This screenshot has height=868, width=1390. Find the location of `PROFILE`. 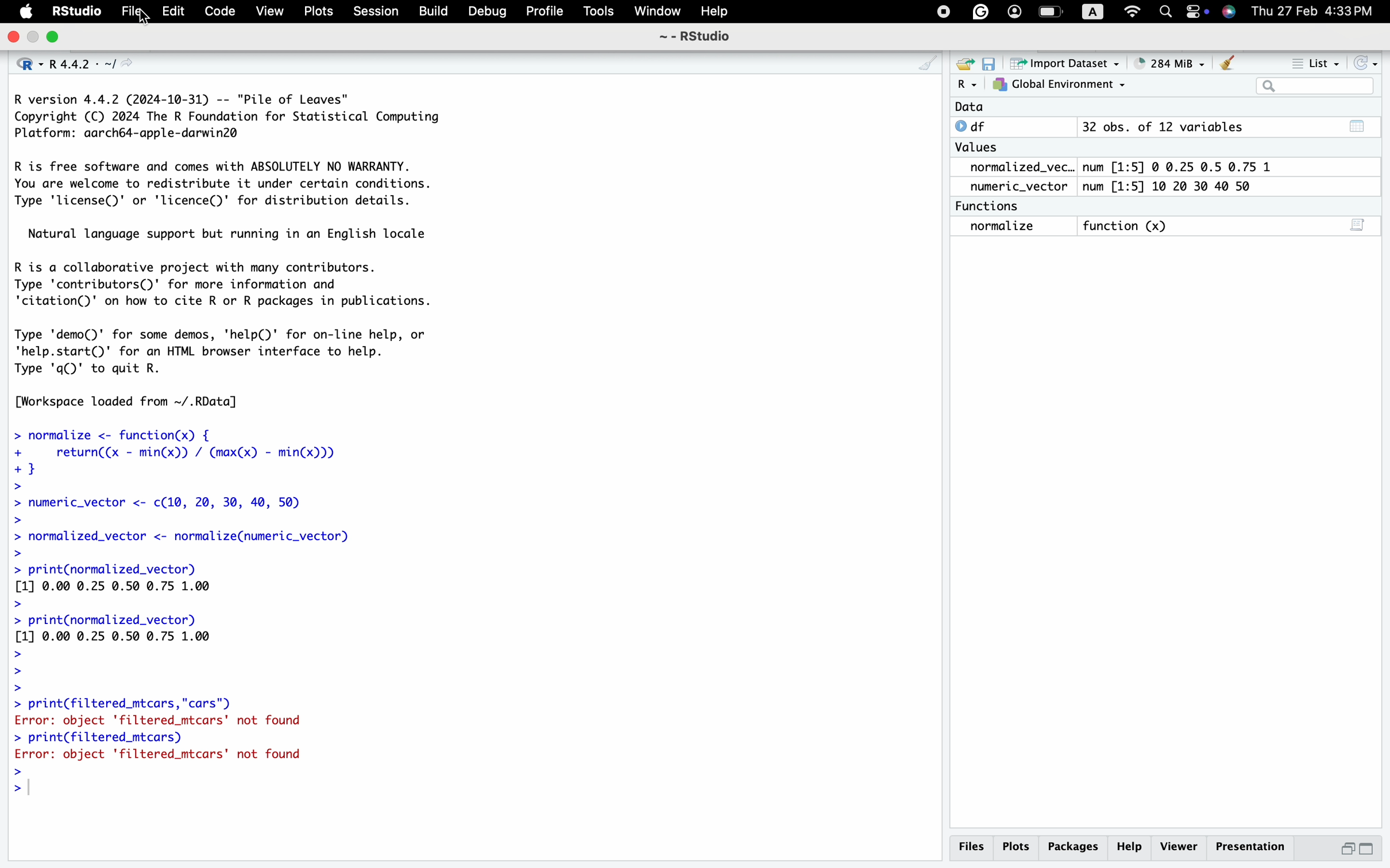

PROFILE is located at coordinates (1012, 10).